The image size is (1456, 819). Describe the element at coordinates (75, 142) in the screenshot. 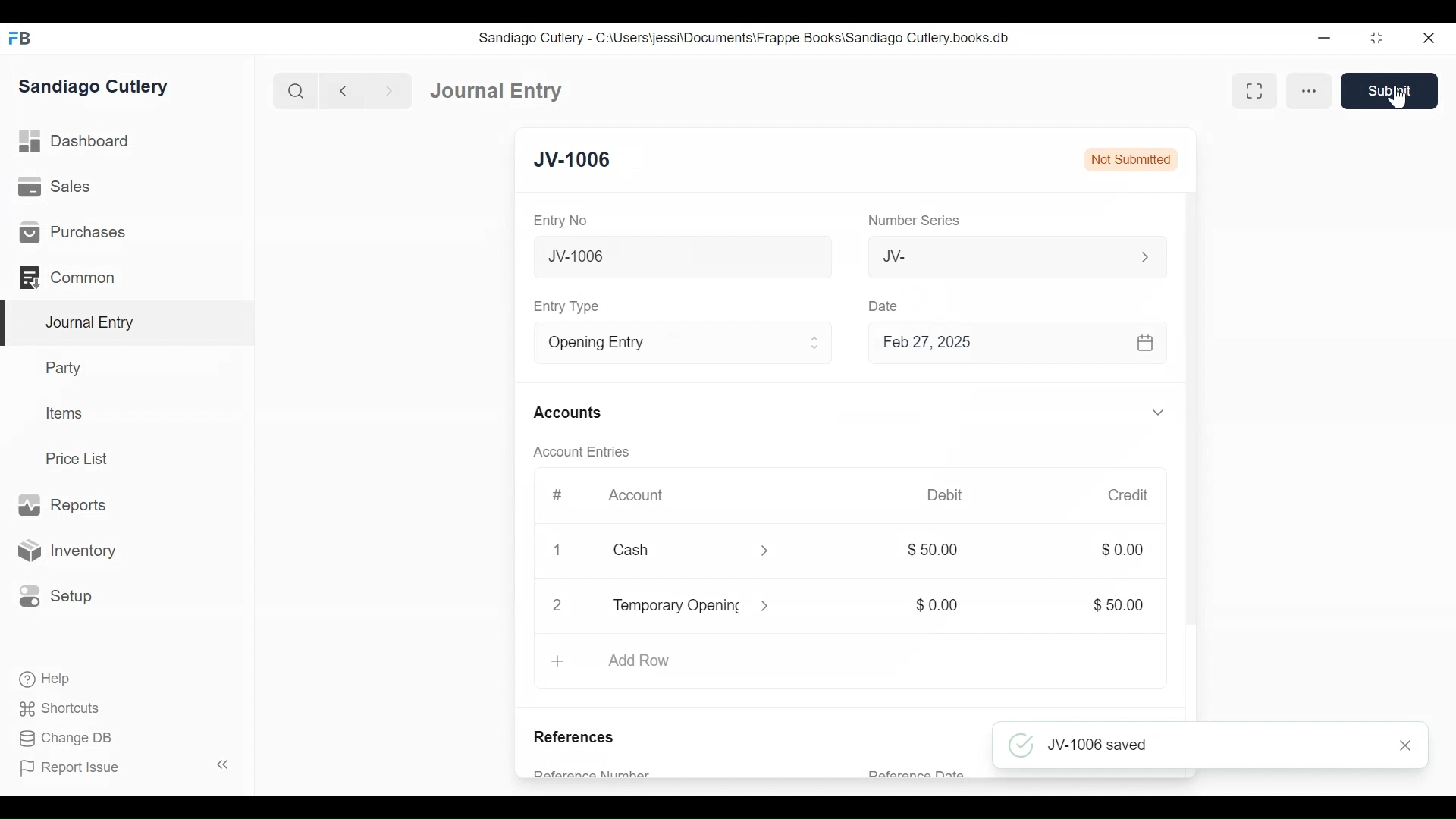

I see `Dashboard` at that location.